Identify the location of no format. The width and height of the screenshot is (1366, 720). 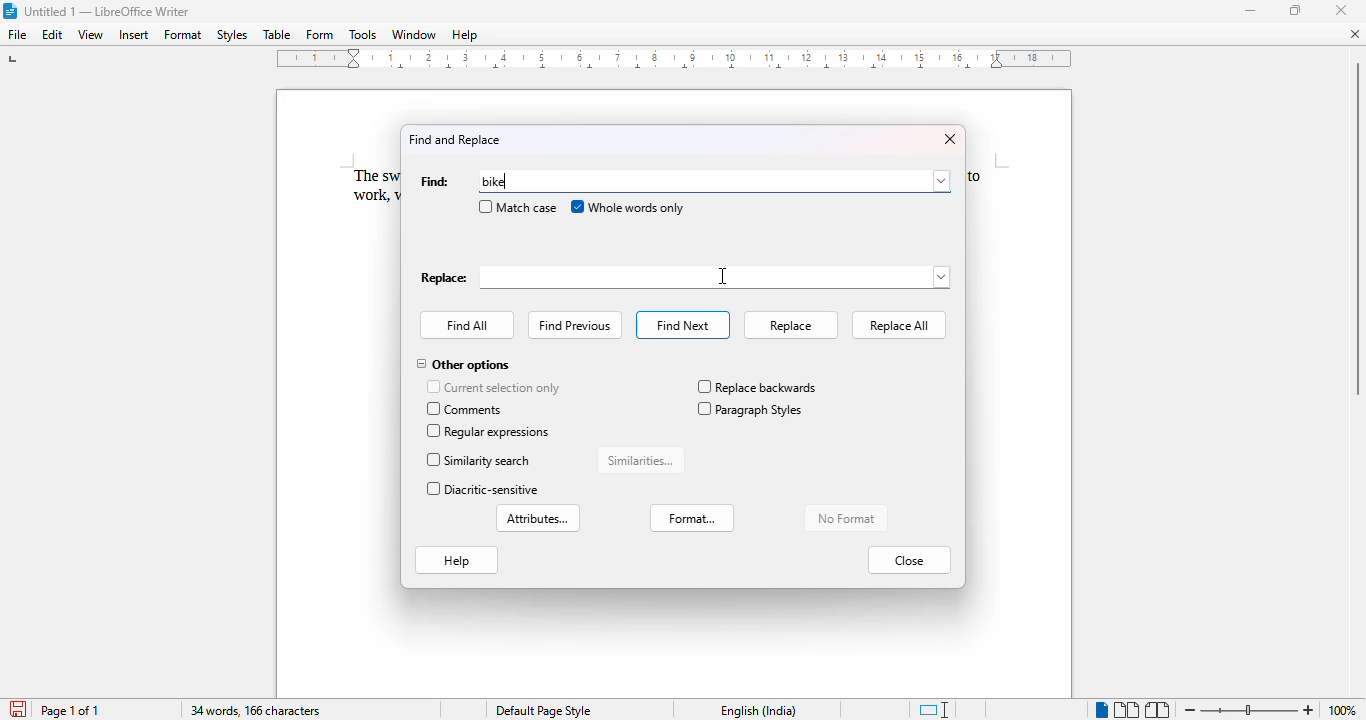
(844, 517).